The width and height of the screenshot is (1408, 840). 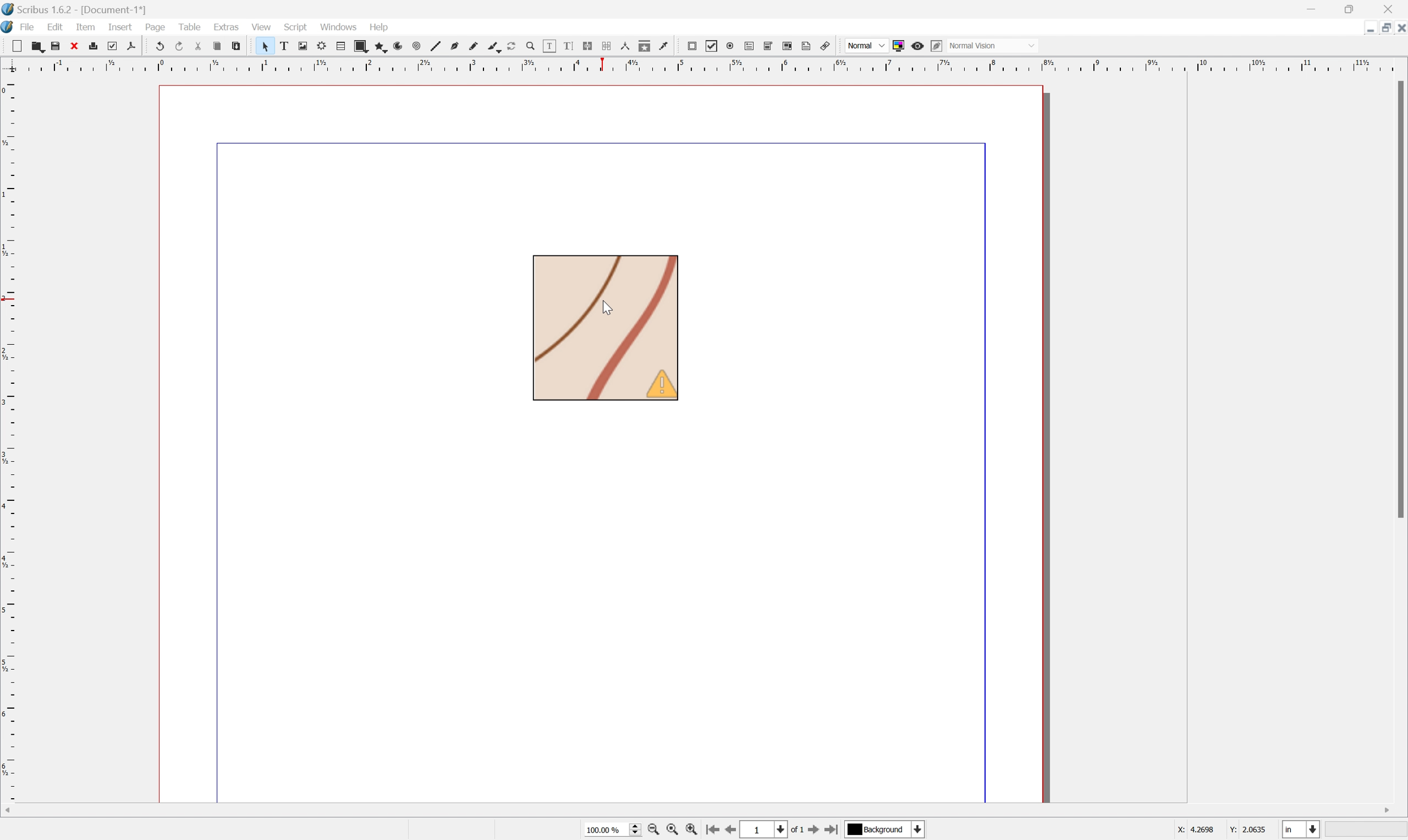 I want to click on New, so click(x=19, y=47).